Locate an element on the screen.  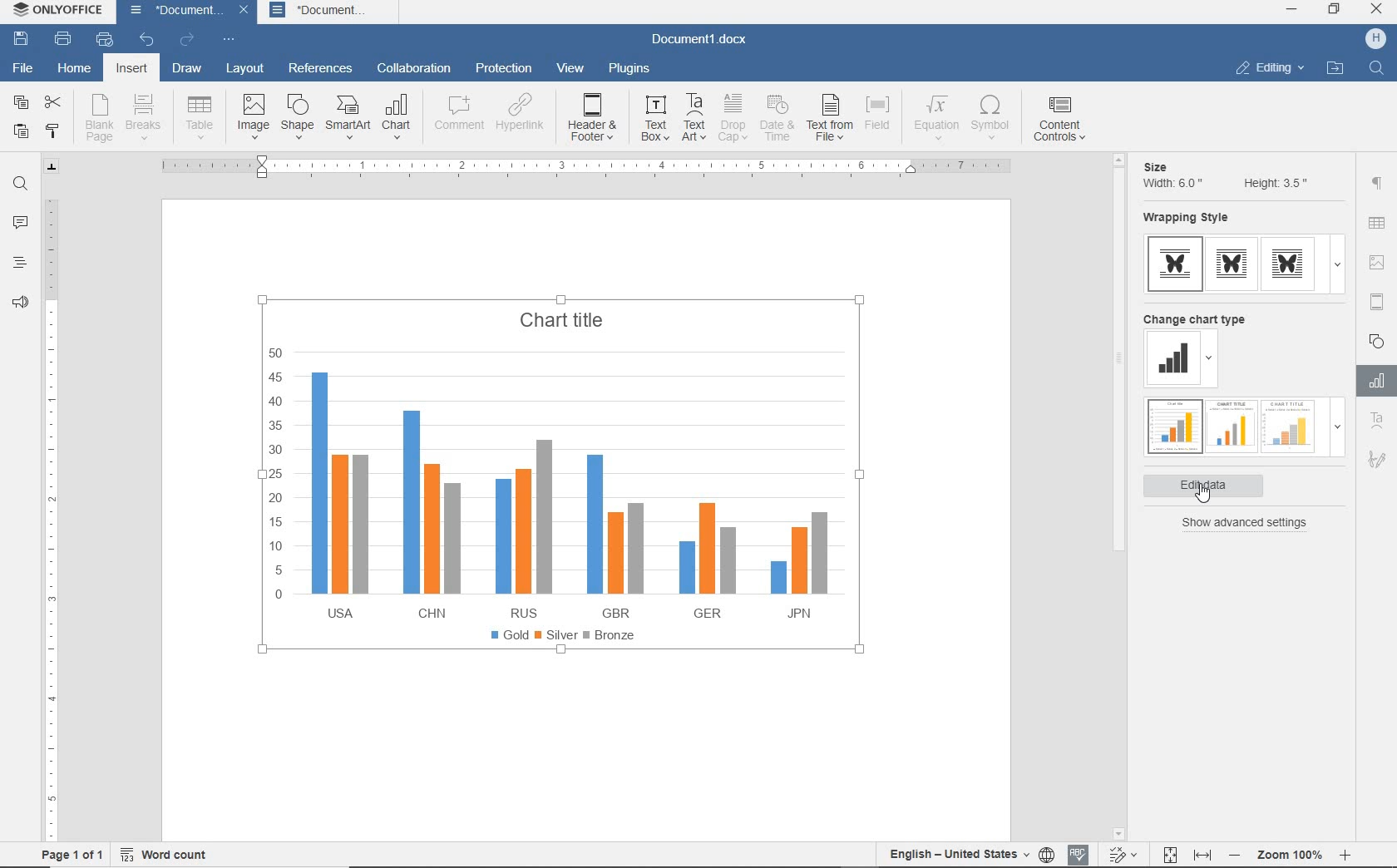
size is located at coordinates (1159, 162).